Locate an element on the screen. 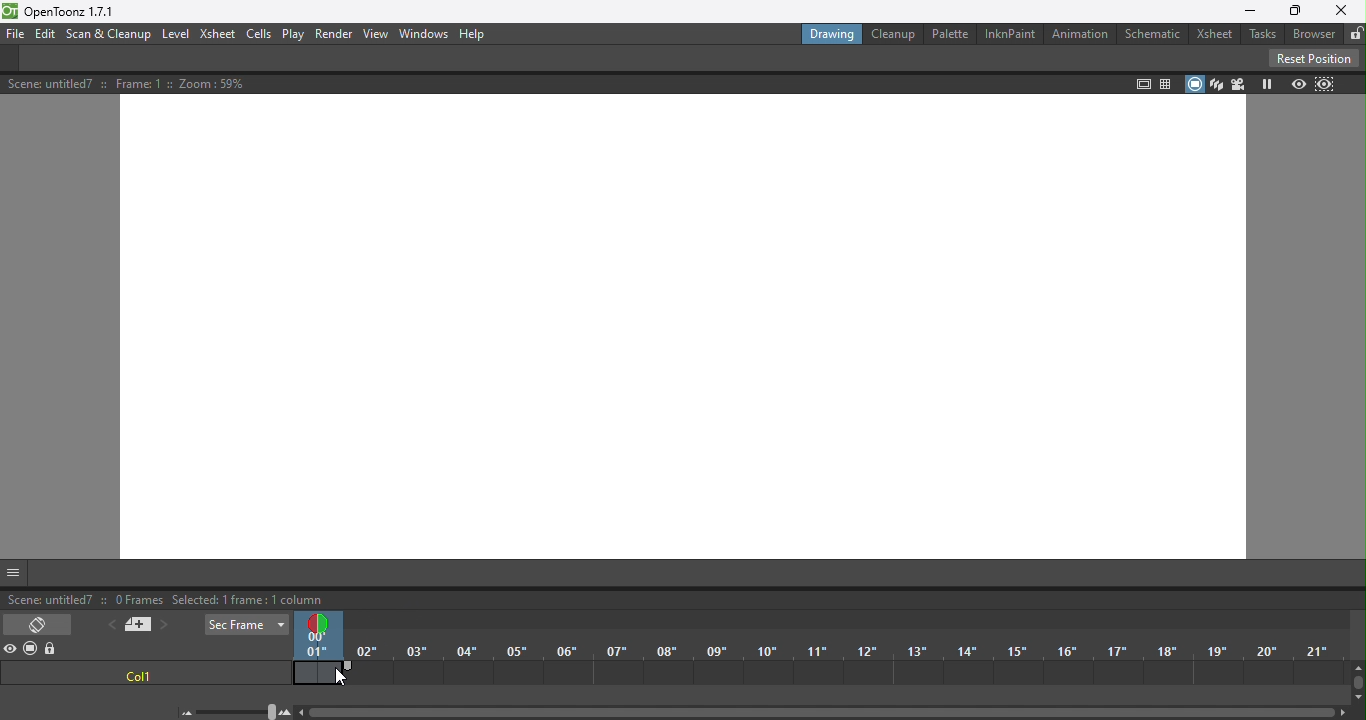 This screenshot has width=1366, height=720. Cleanup is located at coordinates (892, 34).